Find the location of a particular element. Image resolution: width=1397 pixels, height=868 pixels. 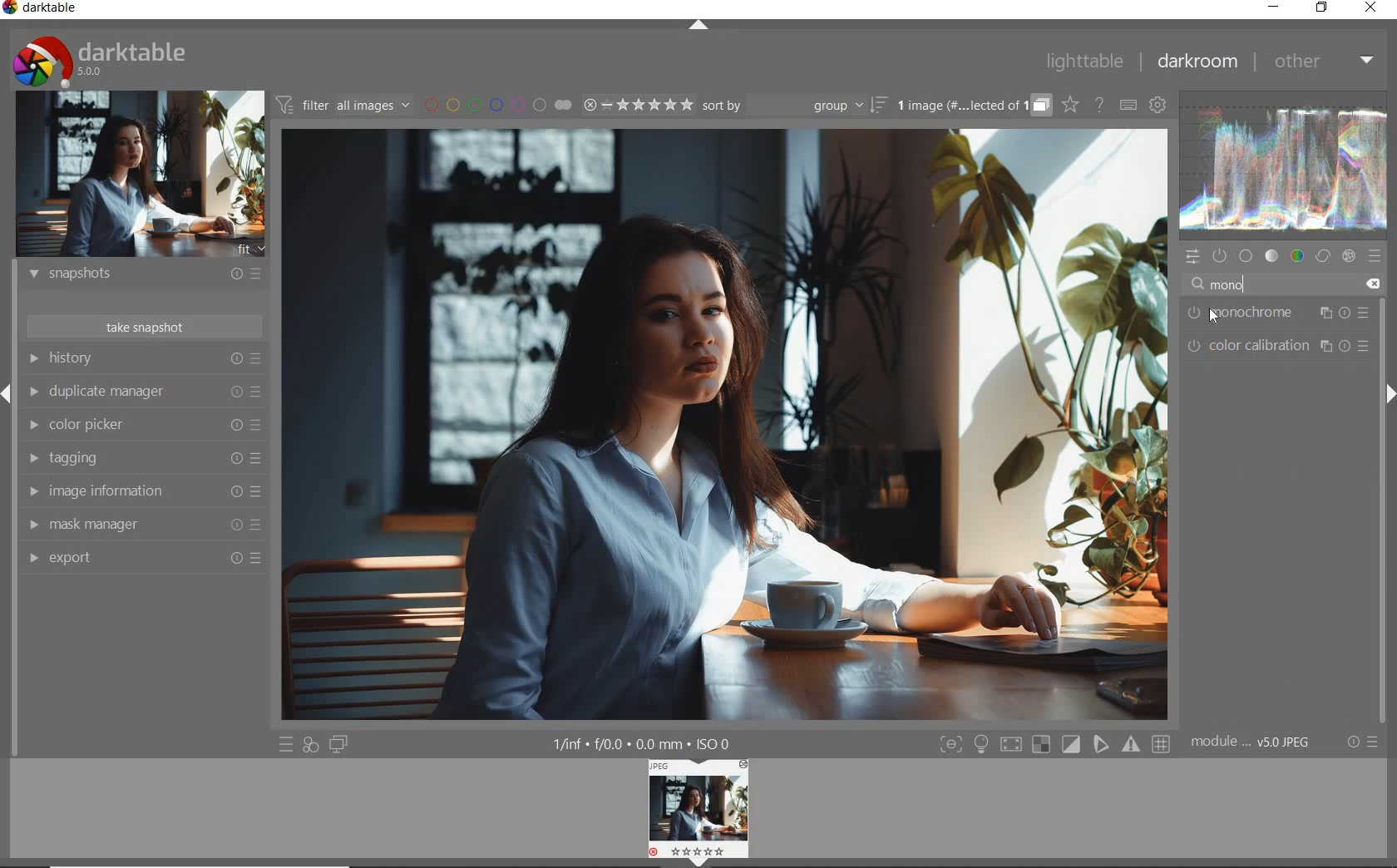

filter images by color labels is located at coordinates (496, 106).